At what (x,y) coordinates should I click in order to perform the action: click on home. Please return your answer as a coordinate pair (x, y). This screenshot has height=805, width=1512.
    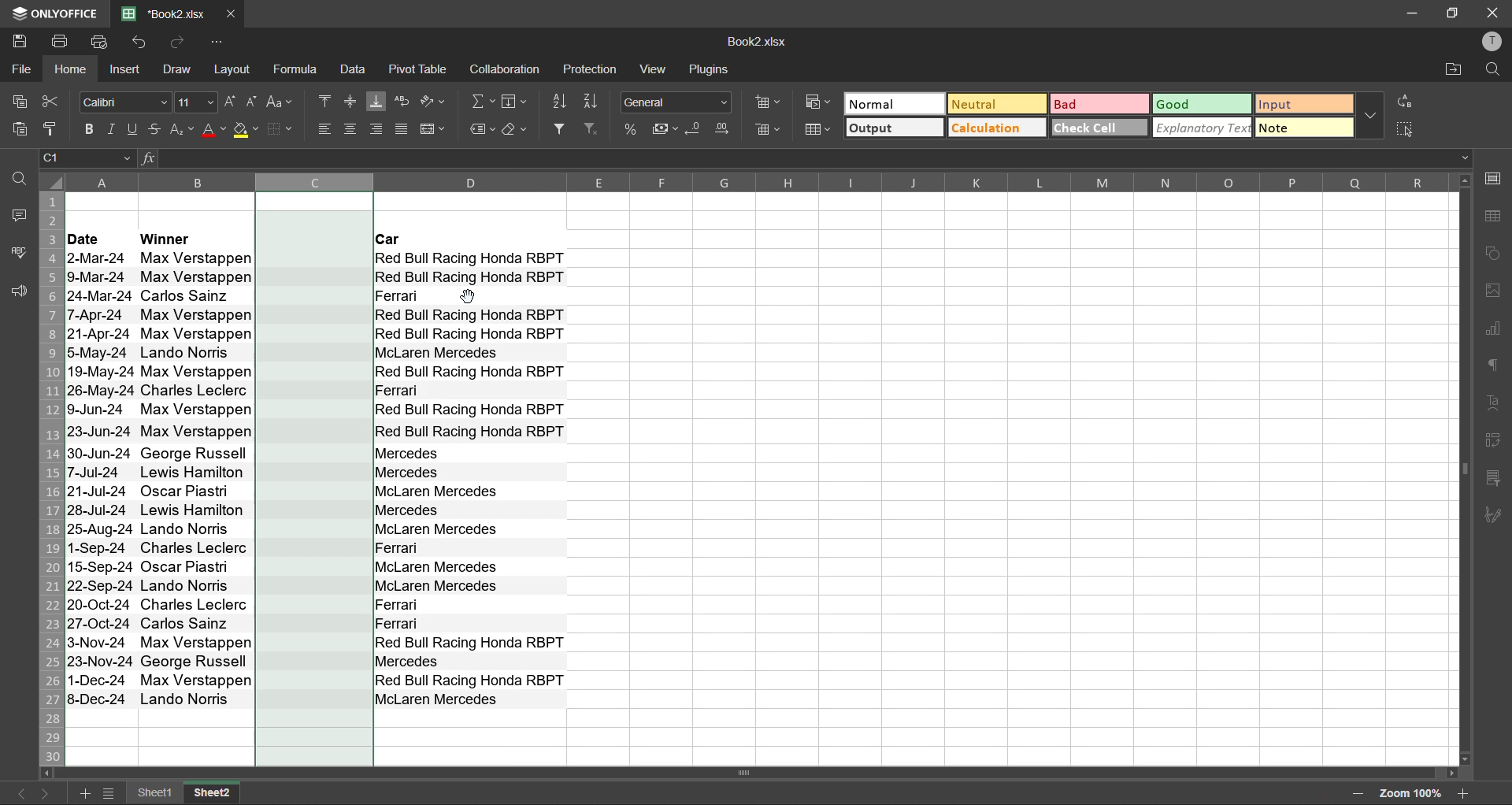
    Looking at the image, I should click on (72, 70).